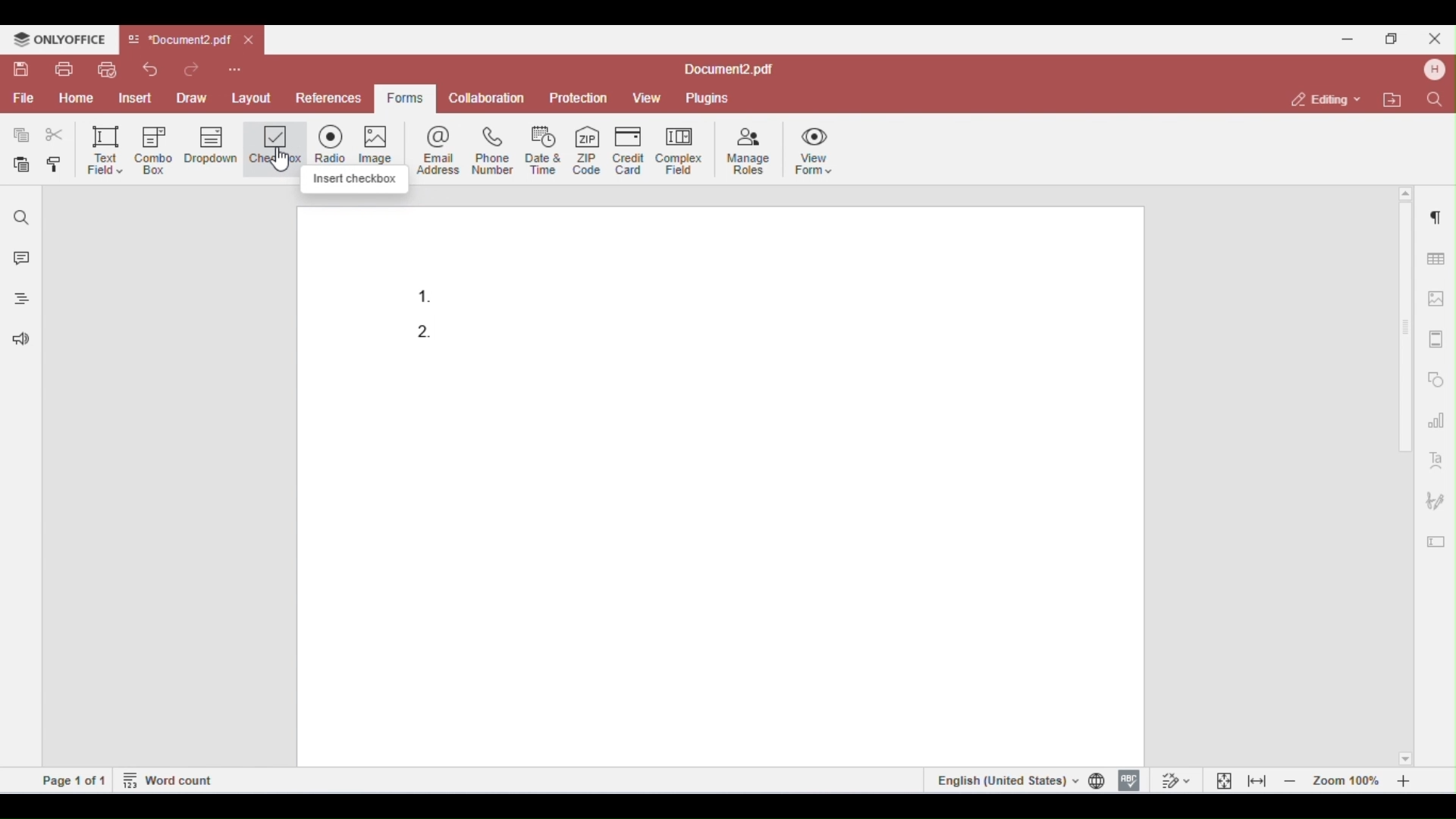  What do you see at coordinates (587, 148) in the screenshot?
I see `zip code` at bounding box center [587, 148].